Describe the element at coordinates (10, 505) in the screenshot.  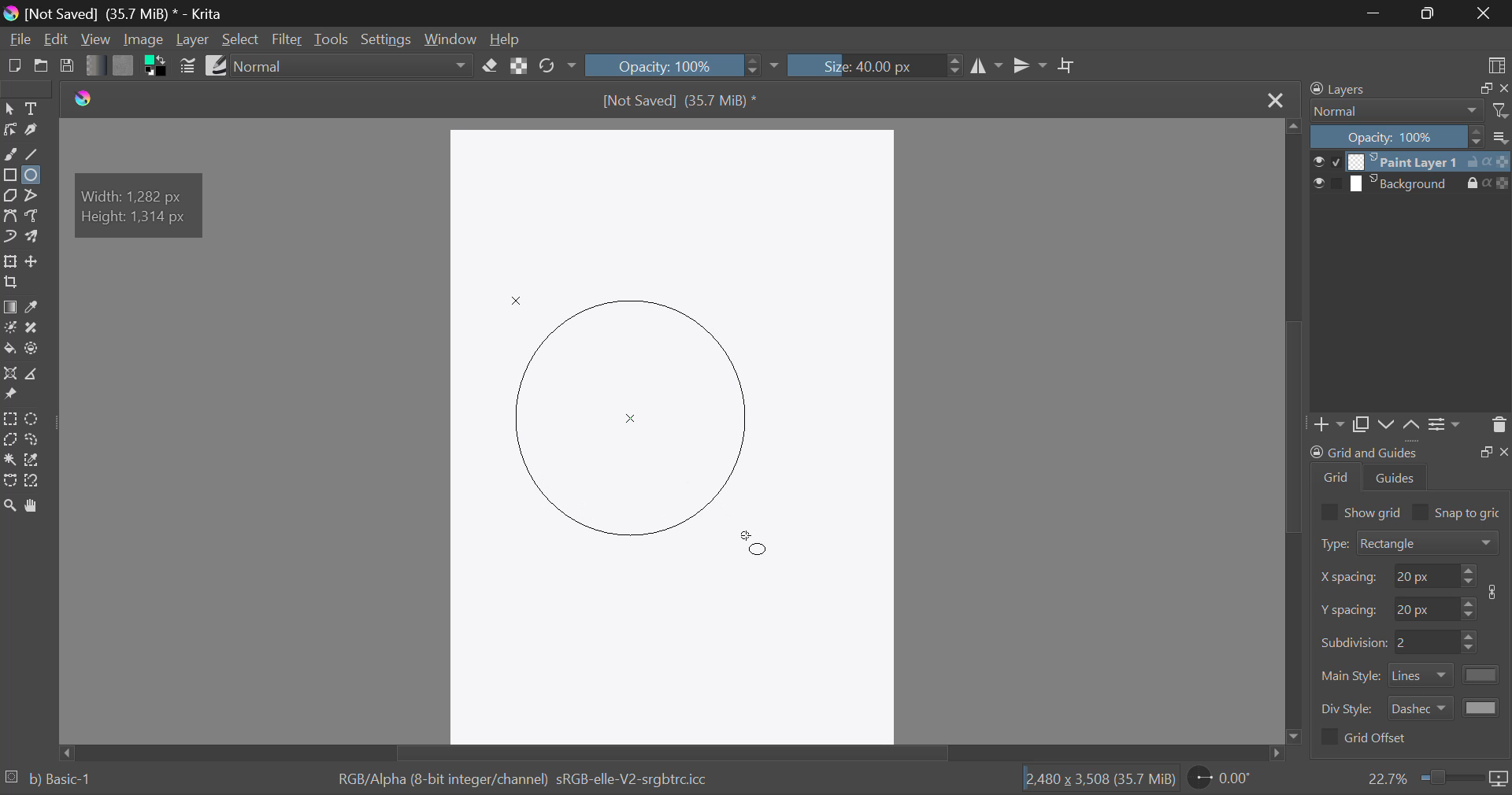
I see `Zoom` at that location.